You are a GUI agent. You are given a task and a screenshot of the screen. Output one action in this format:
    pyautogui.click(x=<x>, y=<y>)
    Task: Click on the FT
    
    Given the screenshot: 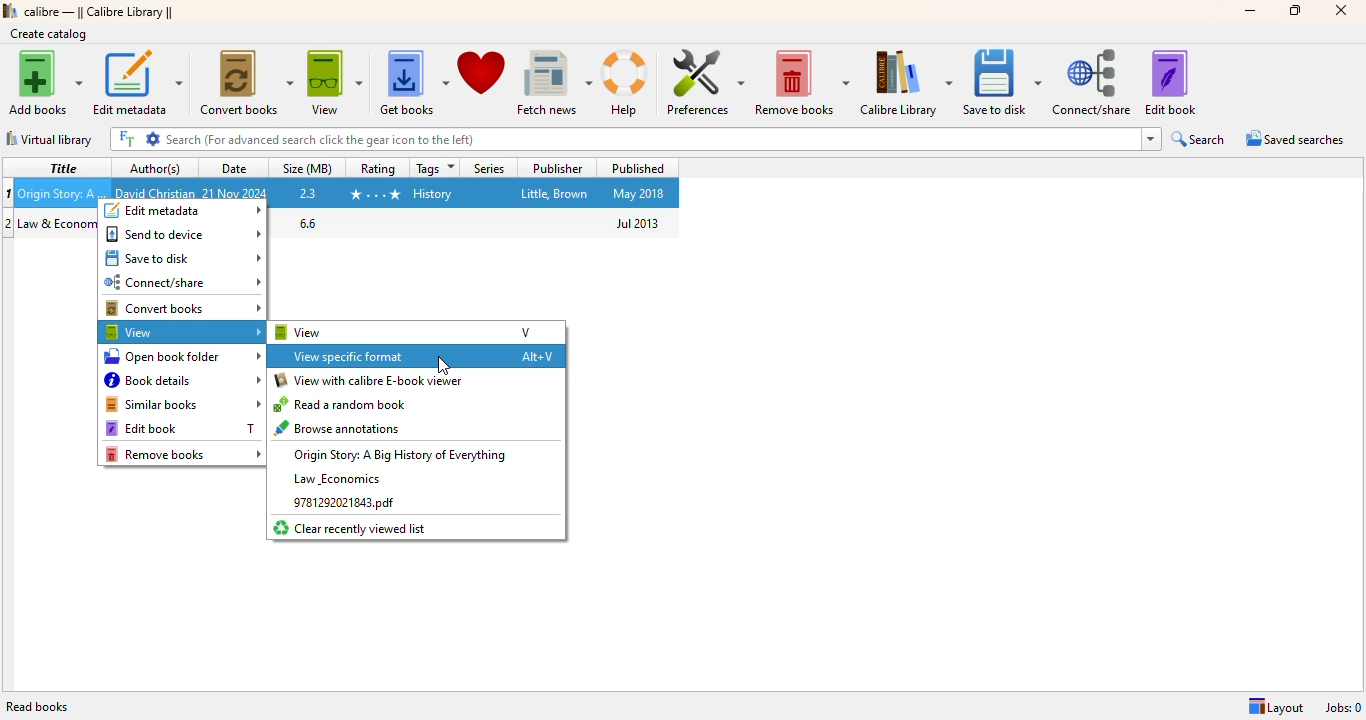 What is the action you would take?
    pyautogui.click(x=126, y=139)
    